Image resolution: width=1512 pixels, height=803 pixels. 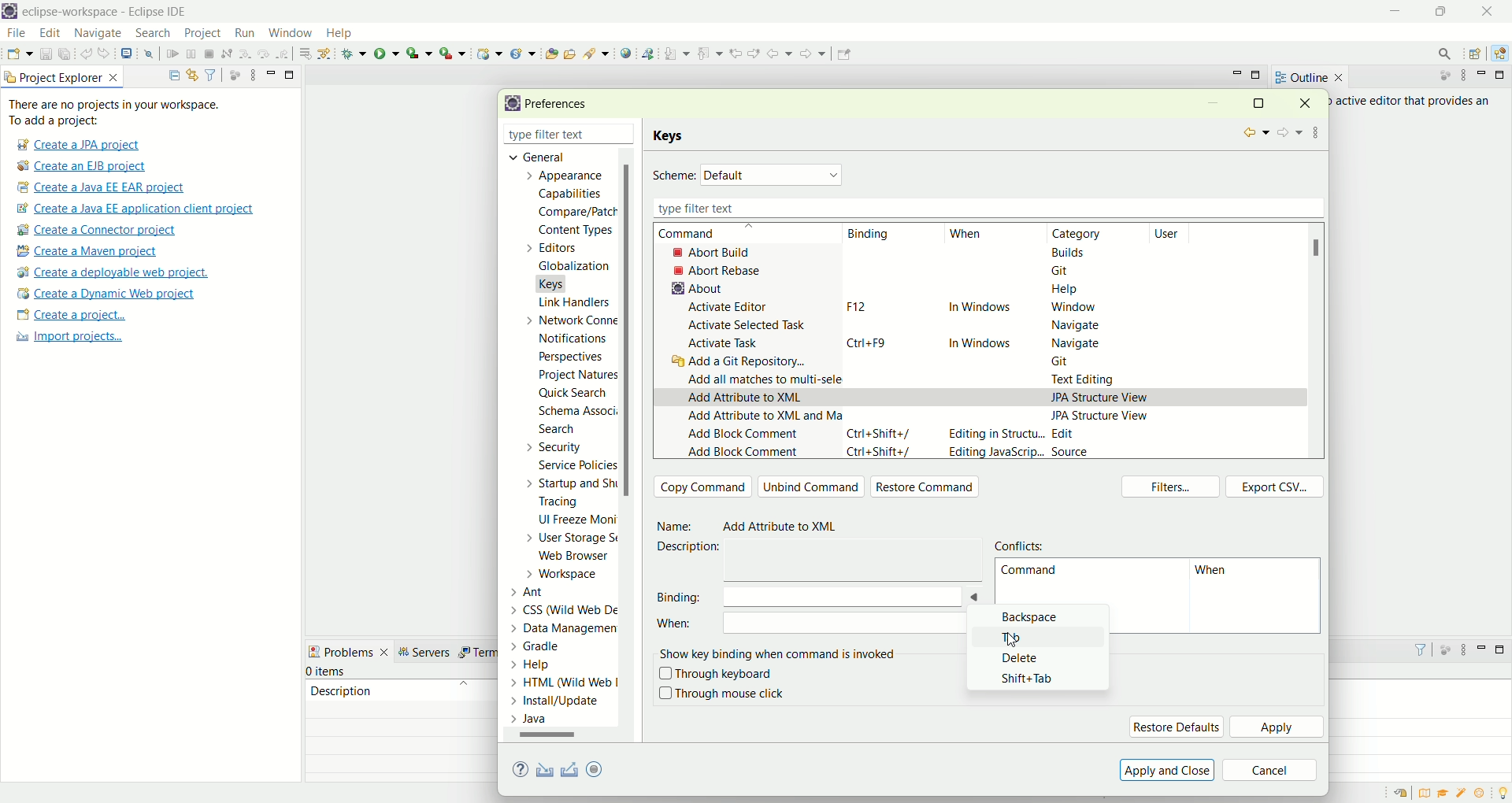 I want to click on next edit location, so click(x=756, y=52).